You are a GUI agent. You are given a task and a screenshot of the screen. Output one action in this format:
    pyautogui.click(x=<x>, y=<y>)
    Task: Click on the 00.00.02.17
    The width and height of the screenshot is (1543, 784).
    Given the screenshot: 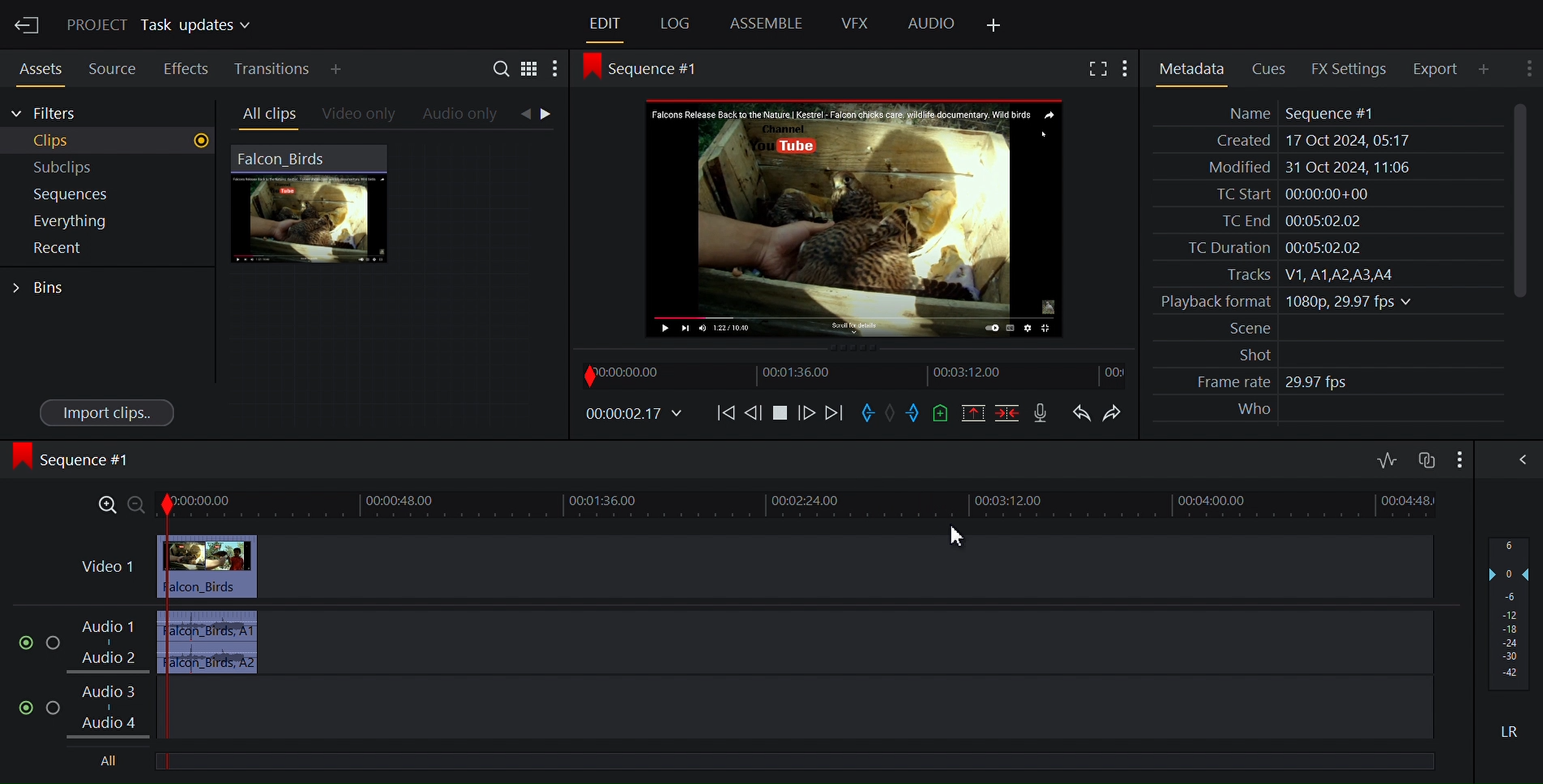 What is the action you would take?
    pyautogui.click(x=634, y=415)
    